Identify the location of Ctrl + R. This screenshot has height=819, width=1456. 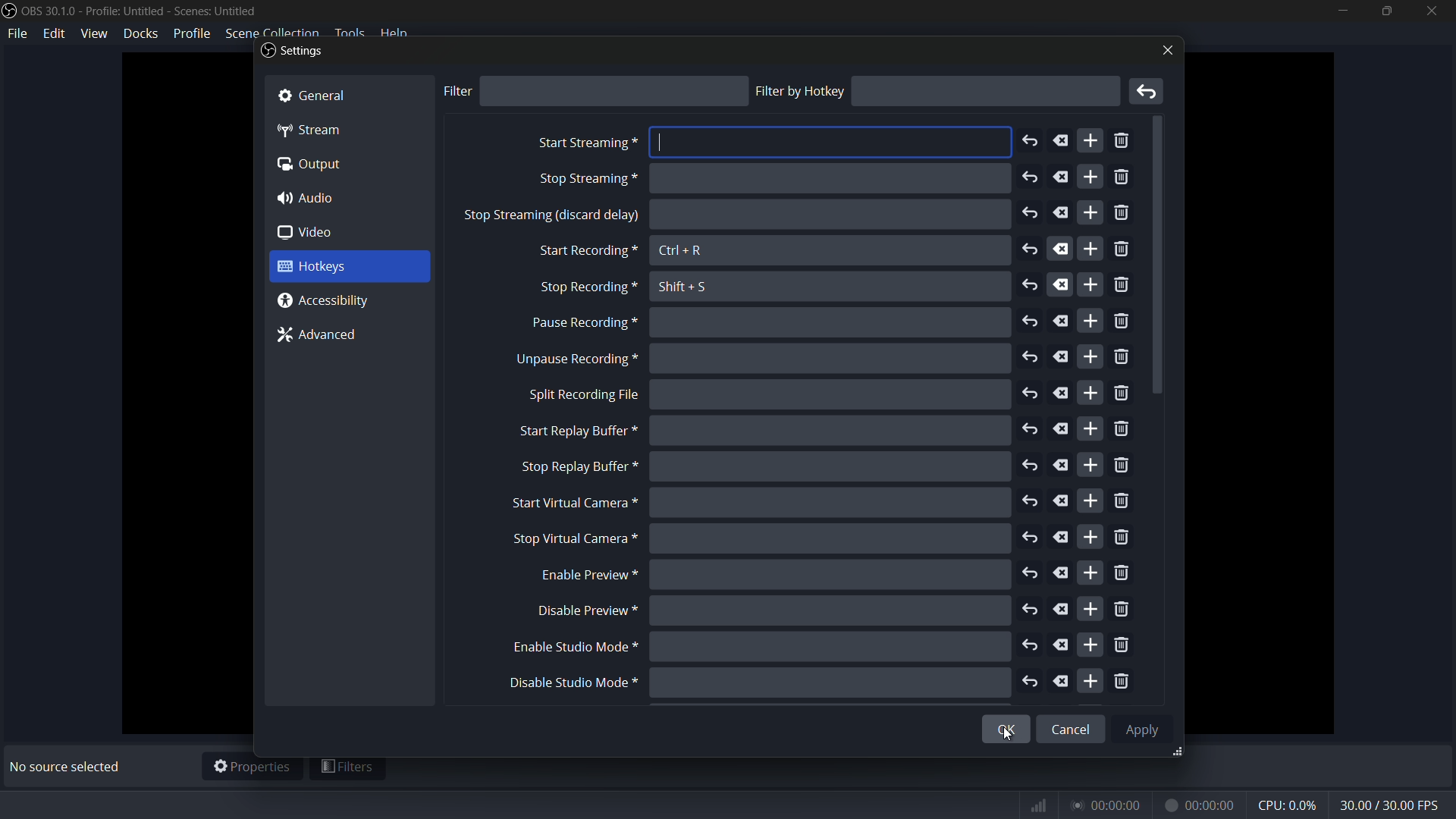
(682, 252).